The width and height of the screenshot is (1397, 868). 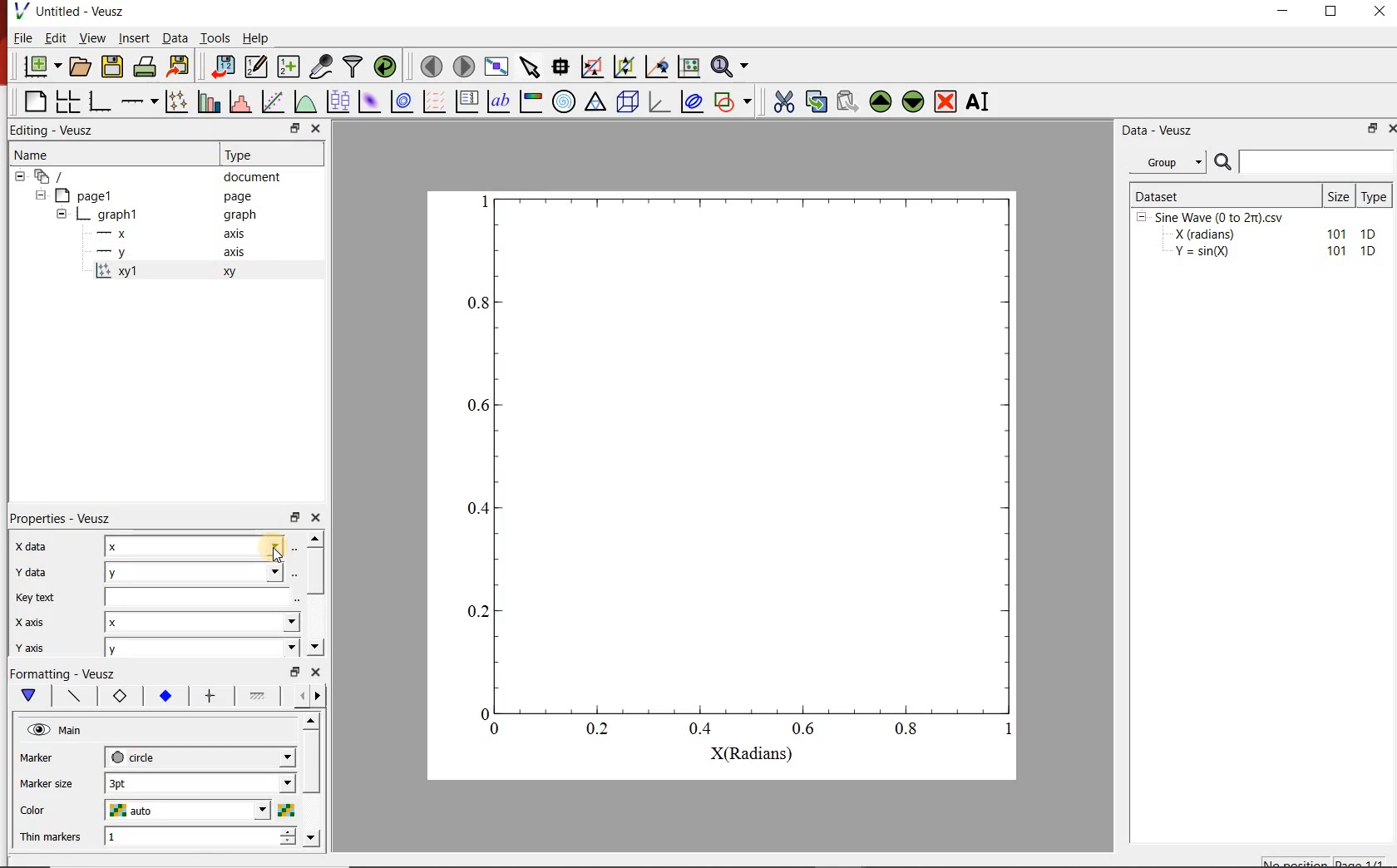 I want to click on Auto mirror, so click(x=47, y=782).